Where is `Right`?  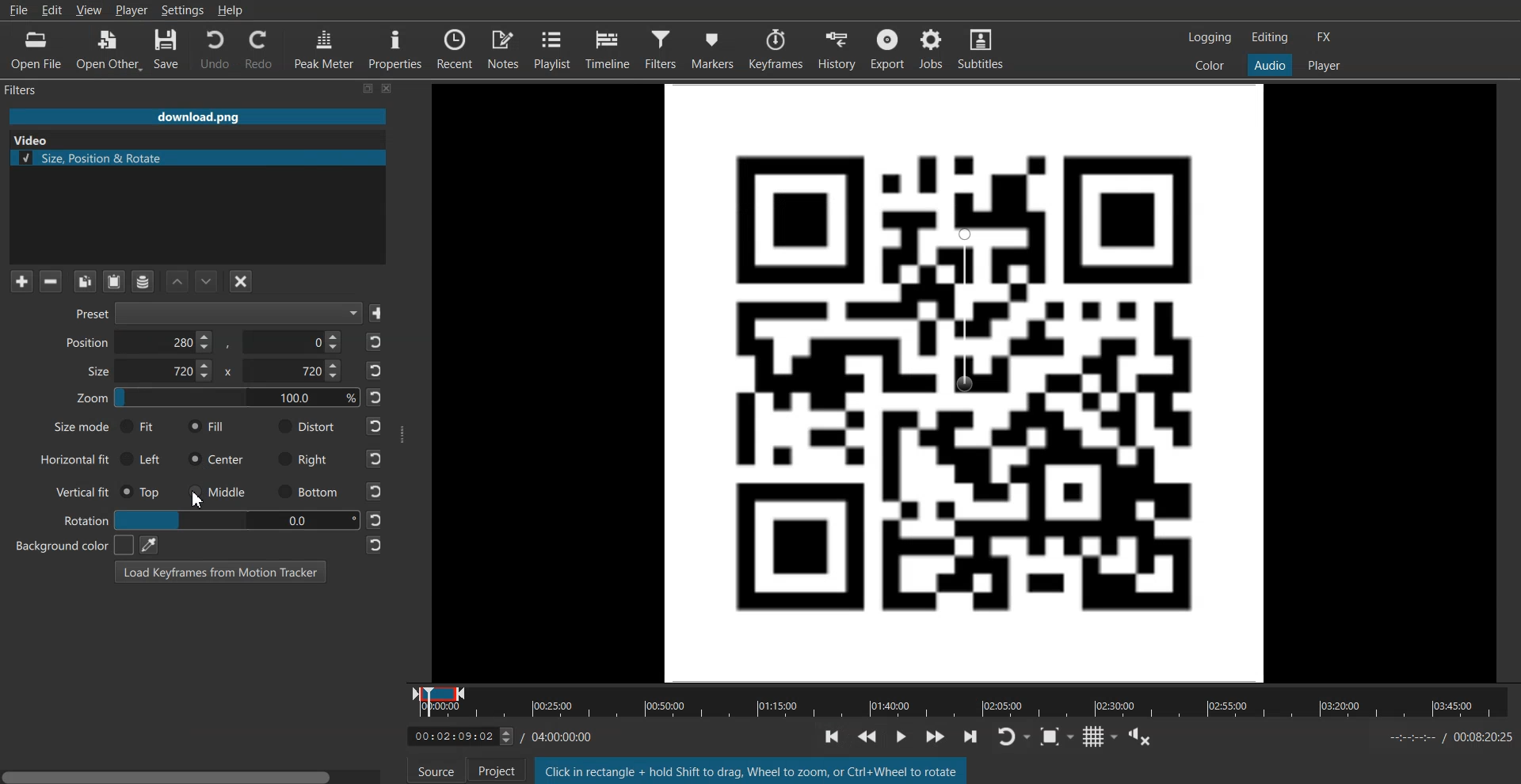 Right is located at coordinates (304, 459).